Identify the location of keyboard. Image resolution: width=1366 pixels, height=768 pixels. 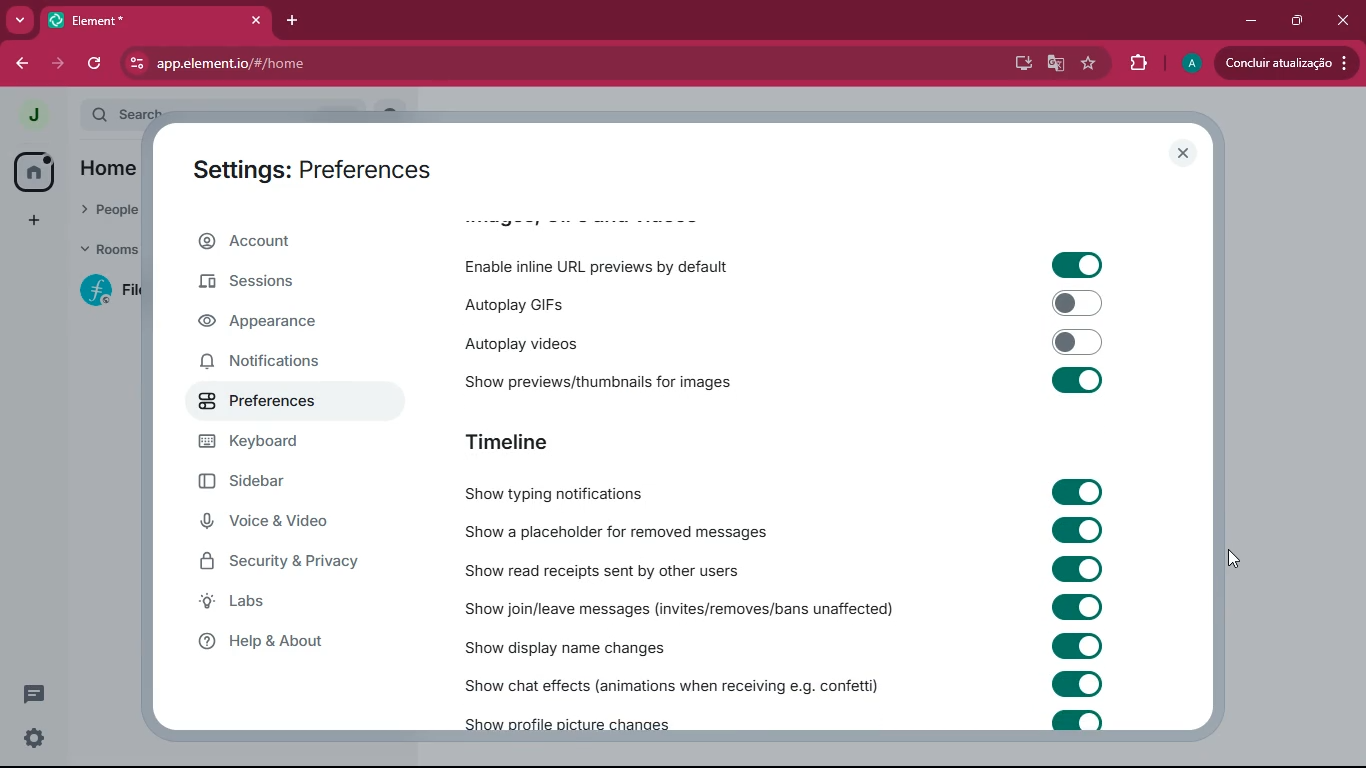
(282, 442).